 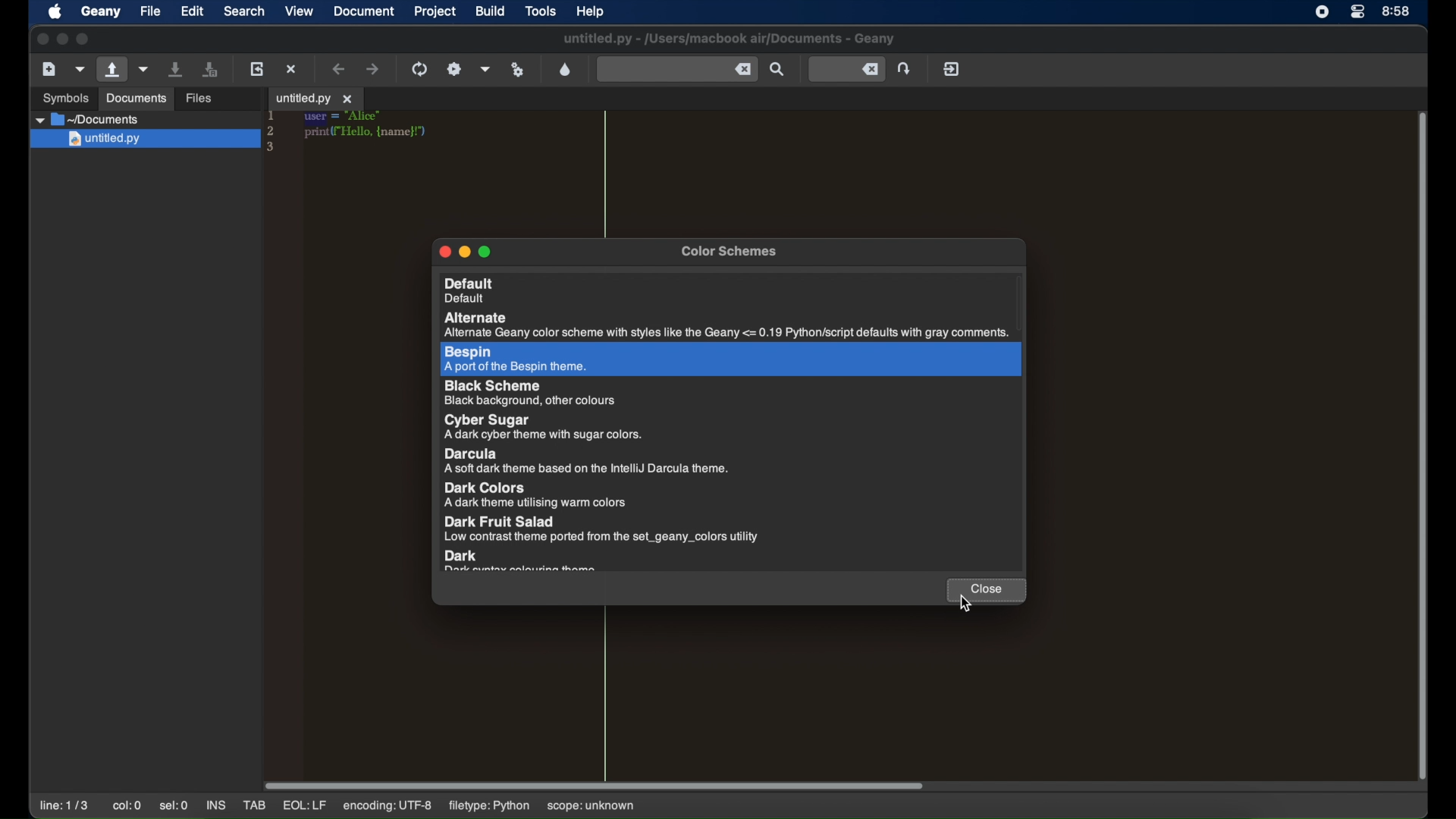 What do you see at coordinates (64, 806) in the screenshot?
I see `line: 1/3` at bounding box center [64, 806].